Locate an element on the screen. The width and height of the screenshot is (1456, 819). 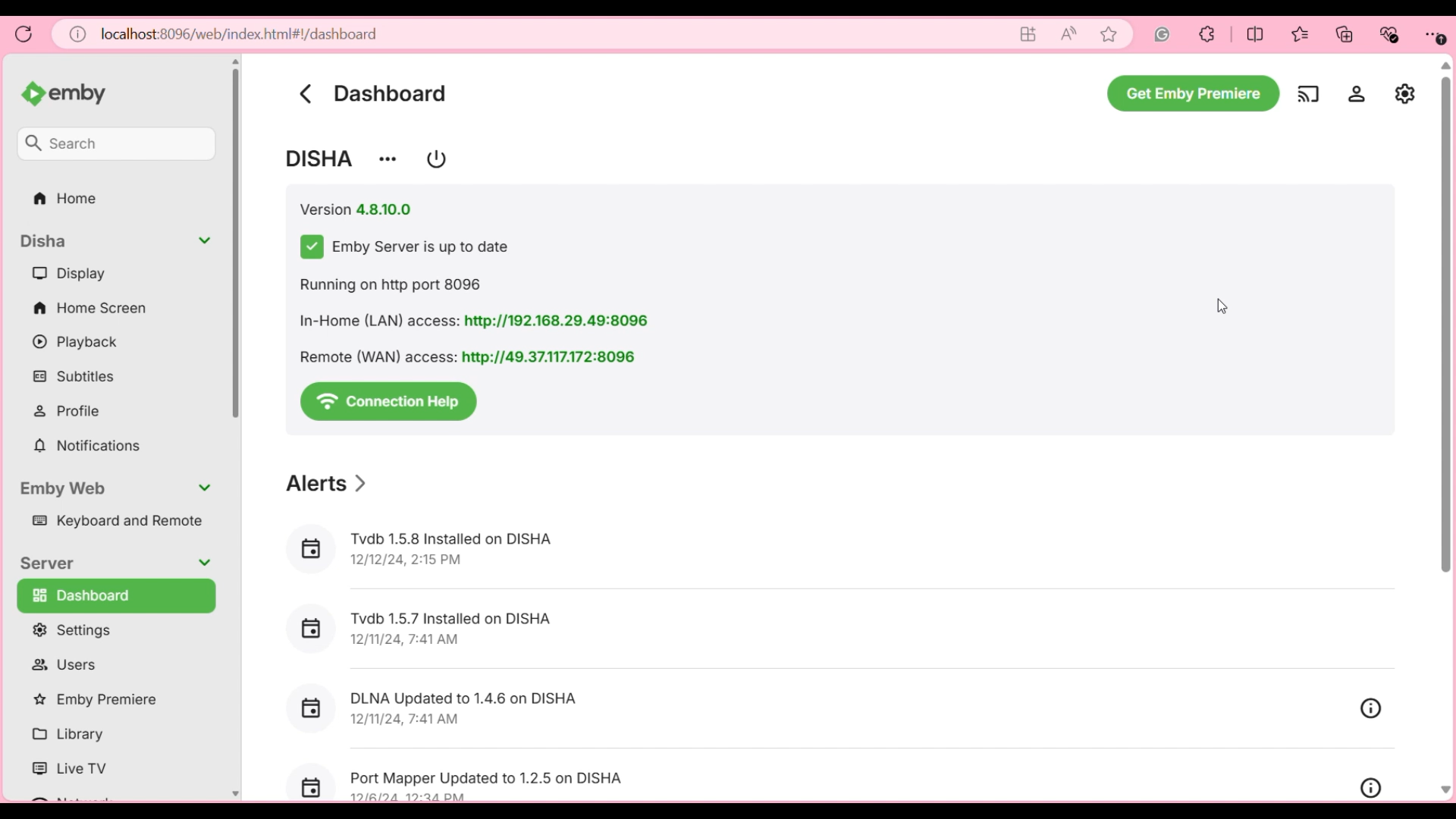
Collapse respective section is located at coordinates (205, 402).